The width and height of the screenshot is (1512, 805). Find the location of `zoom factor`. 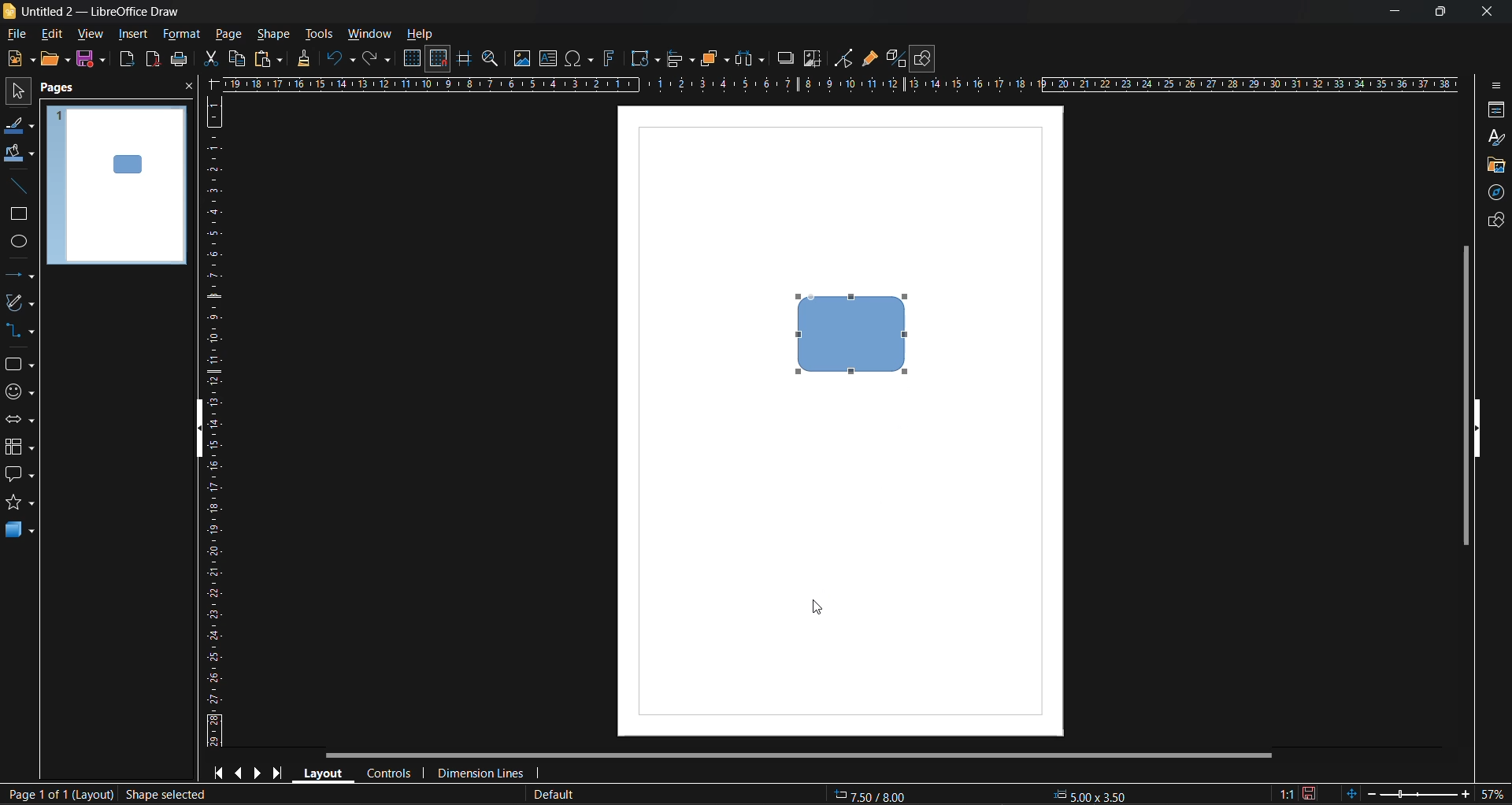

zoom factor is located at coordinates (1492, 793).